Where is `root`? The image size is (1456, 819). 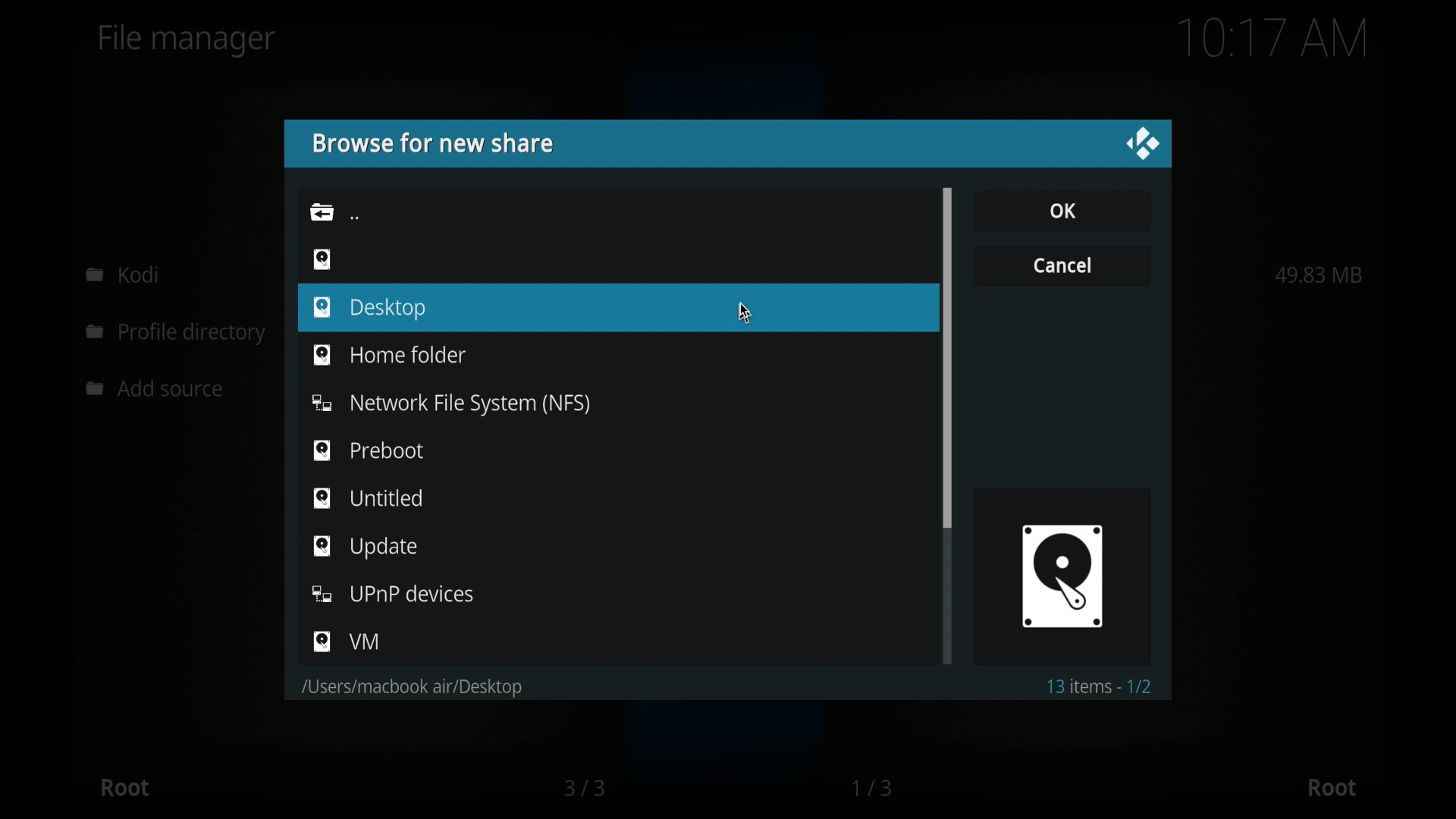 root is located at coordinates (124, 787).